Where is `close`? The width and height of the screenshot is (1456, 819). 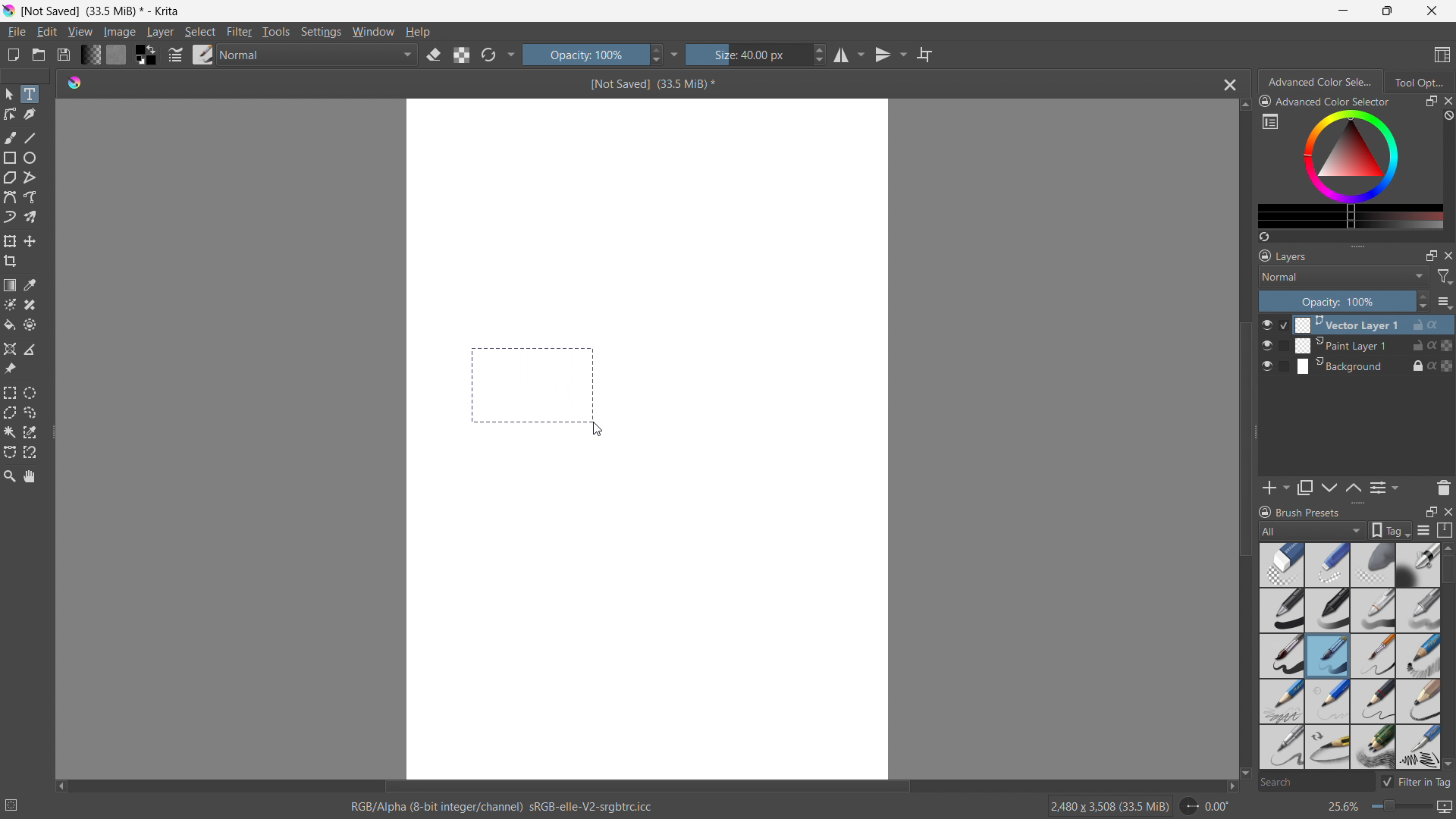
close is located at coordinates (1432, 11).